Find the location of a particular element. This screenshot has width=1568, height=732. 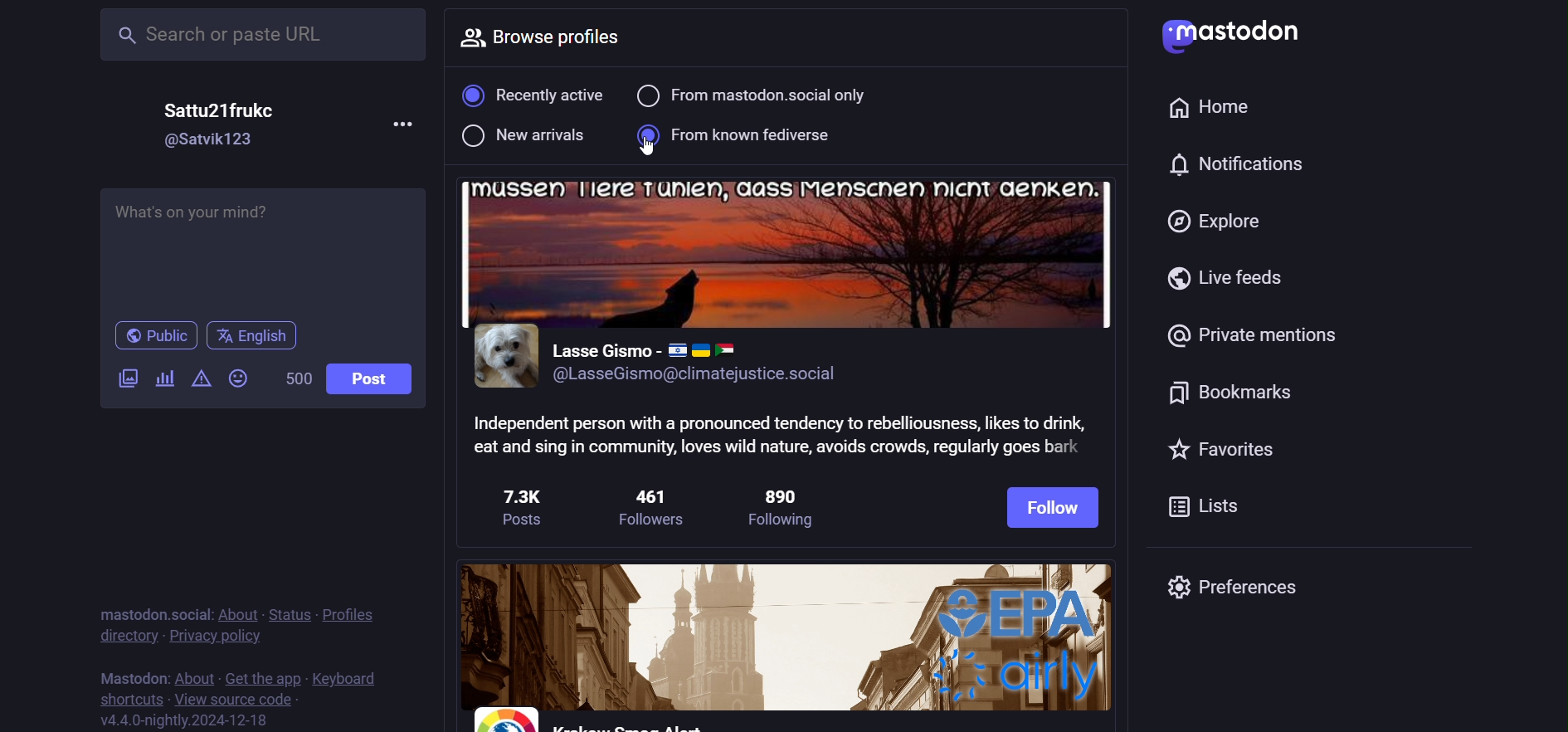

image/video is located at coordinates (129, 378).